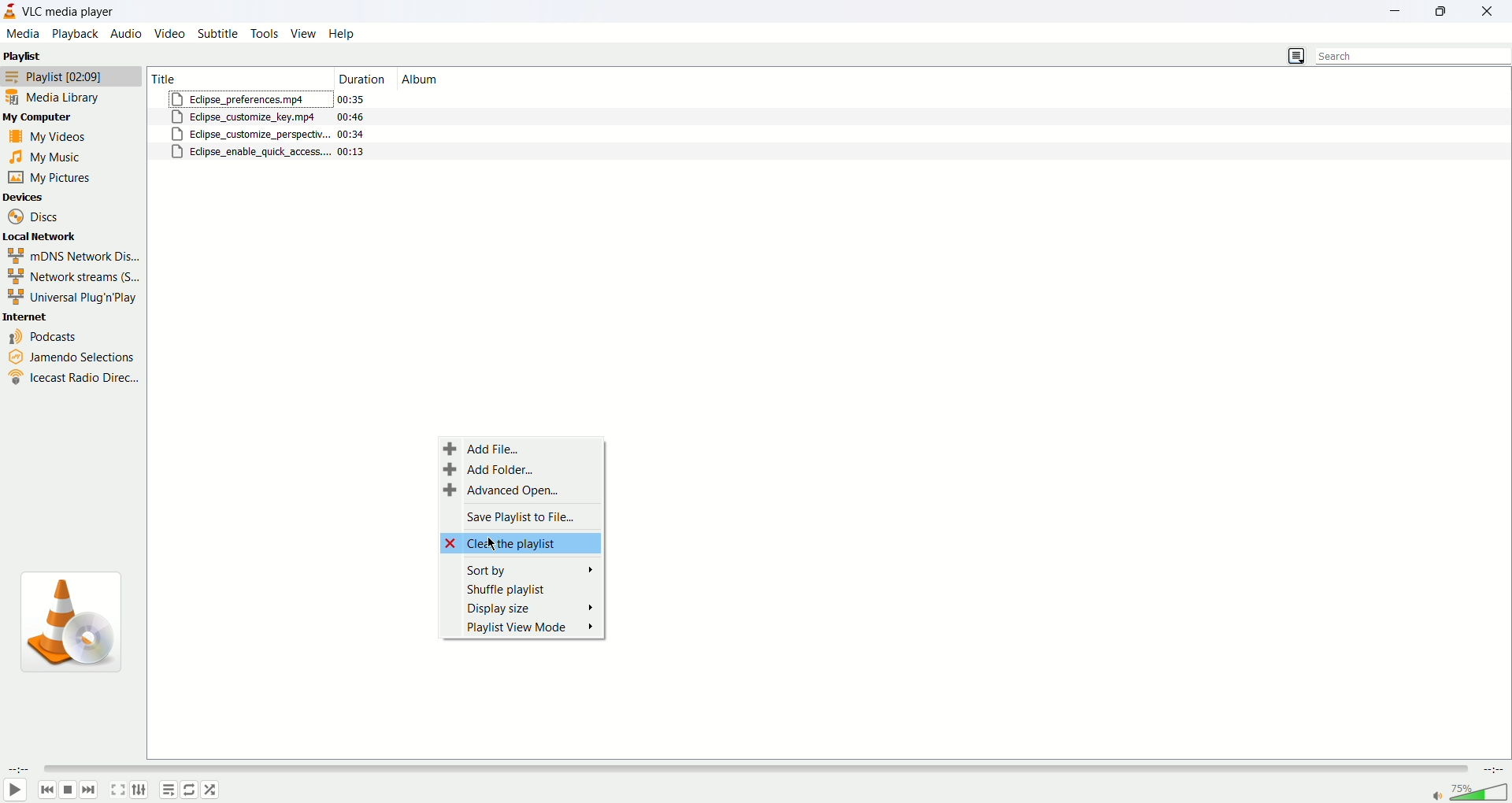 The width and height of the screenshot is (1512, 803). I want to click on list view, so click(1296, 56).